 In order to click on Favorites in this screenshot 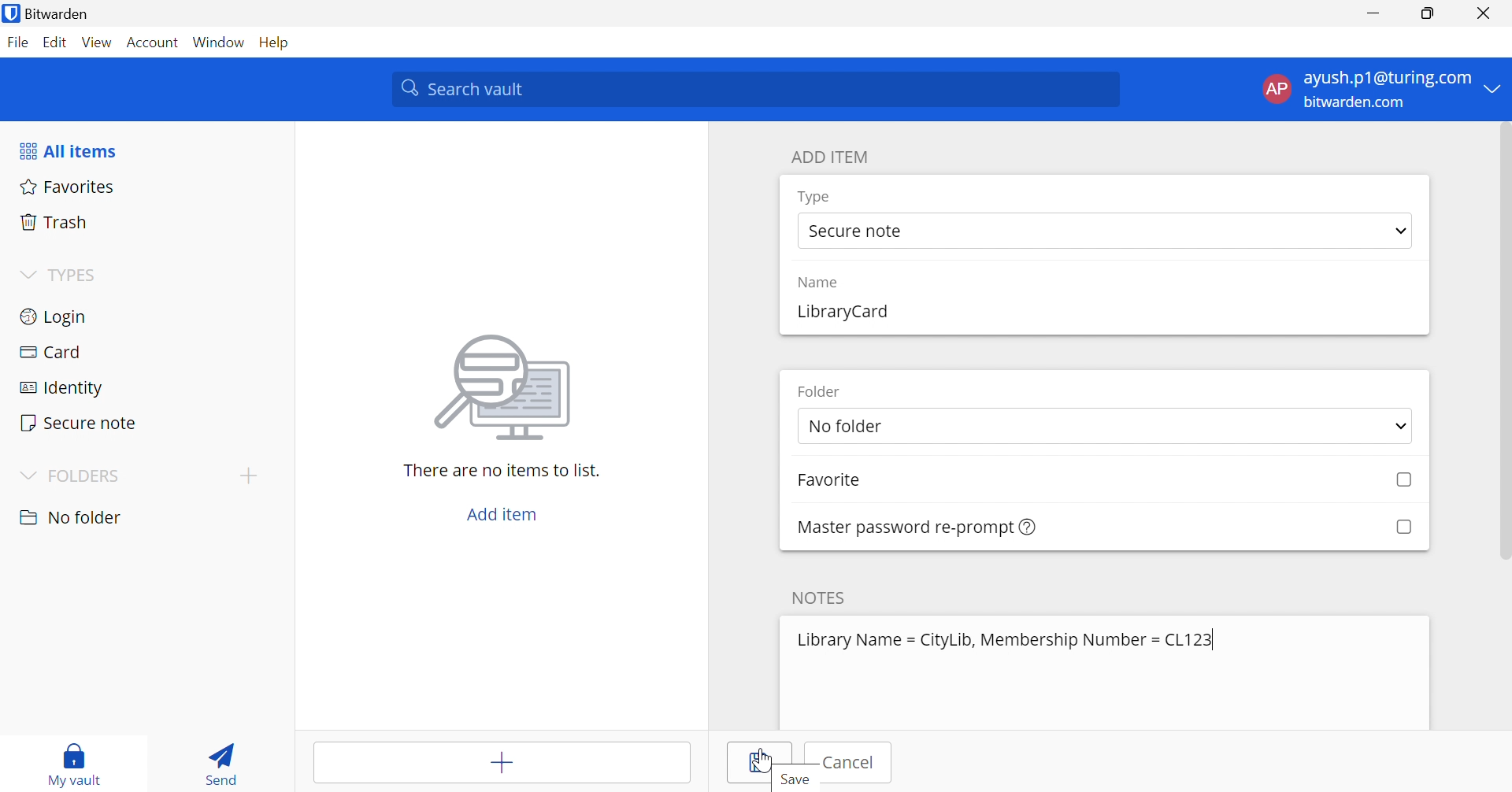, I will do `click(146, 188)`.